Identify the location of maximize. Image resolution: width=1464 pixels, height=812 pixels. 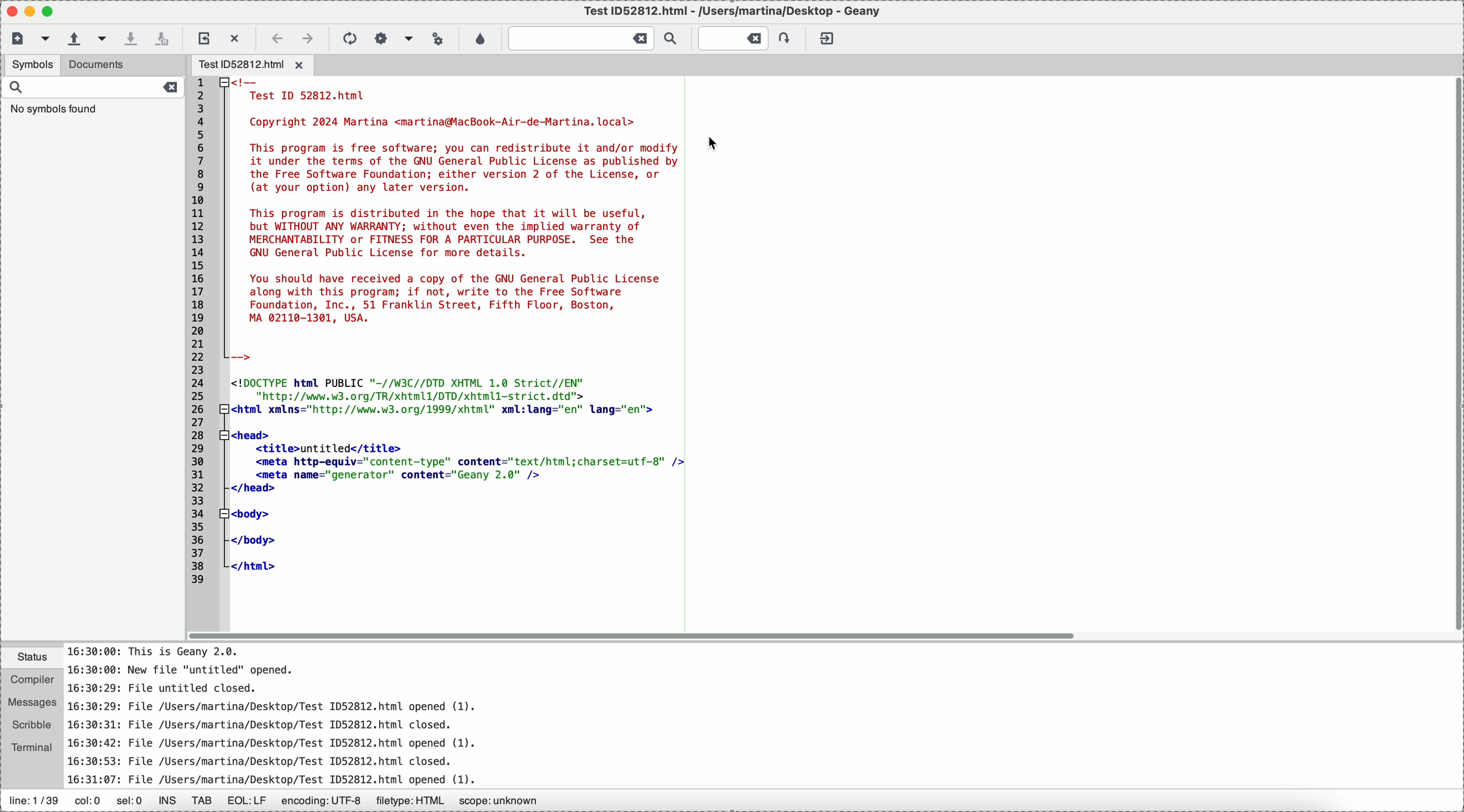
(31, 10).